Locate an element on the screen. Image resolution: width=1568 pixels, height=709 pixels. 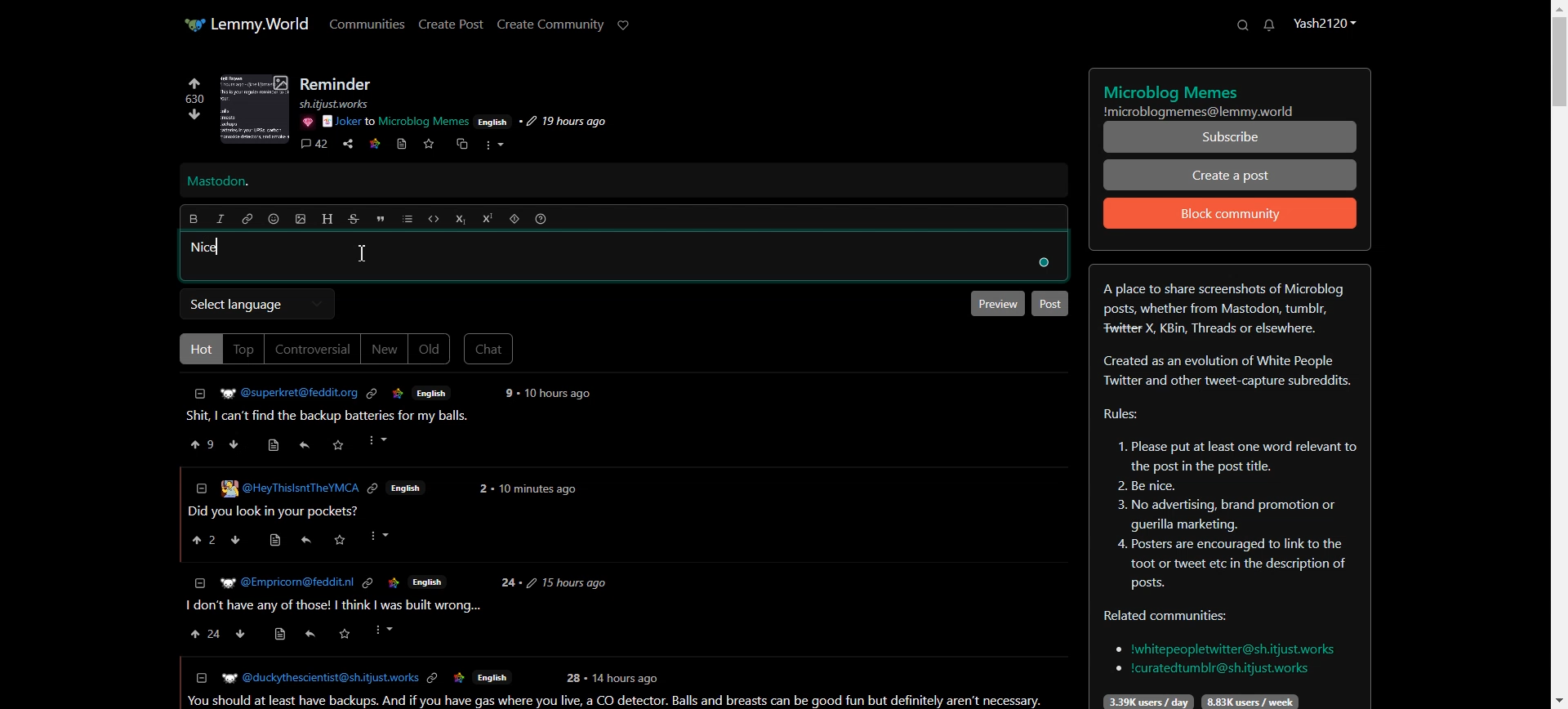
You should at least have backups. And if you have gas where you live, a CO detector. Balls and breasts can be good fun but definitely aren't necessary. is located at coordinates (619, 701).